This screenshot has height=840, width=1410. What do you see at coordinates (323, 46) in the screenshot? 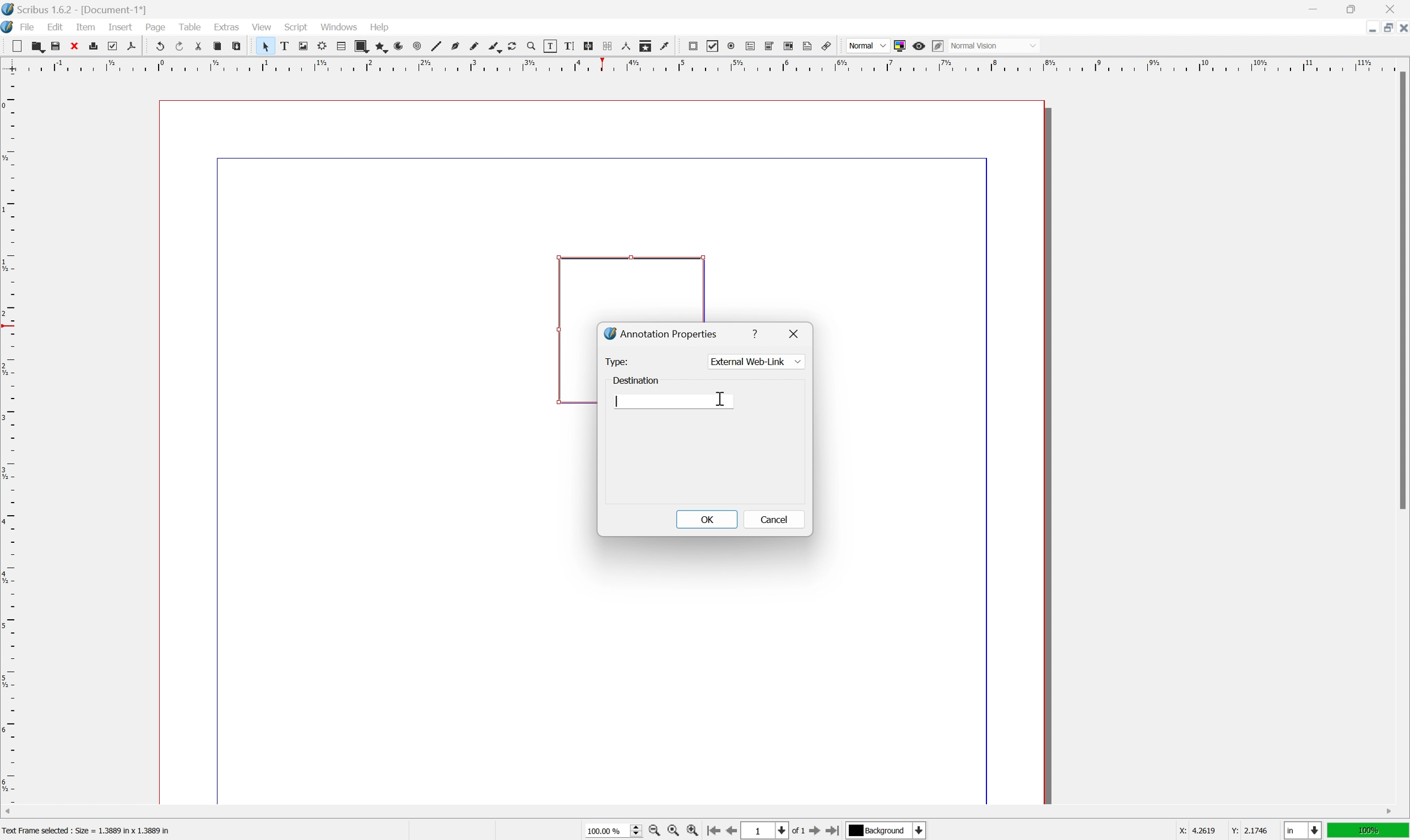
I see `render frame` at bounding box center [323, 46].